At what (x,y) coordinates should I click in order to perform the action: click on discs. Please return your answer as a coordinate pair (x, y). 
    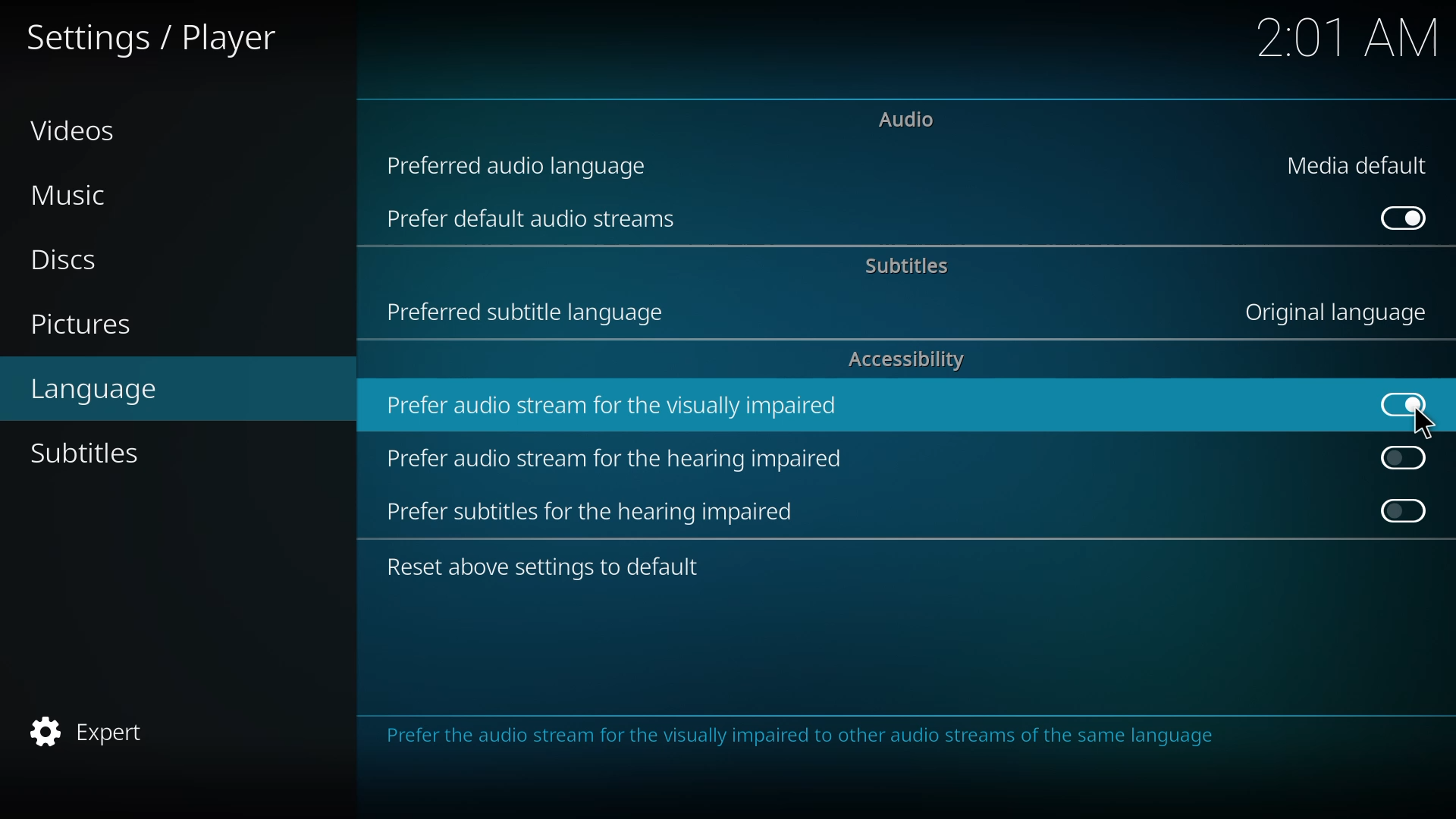
    Looking at the image, I should click on (71, 262).